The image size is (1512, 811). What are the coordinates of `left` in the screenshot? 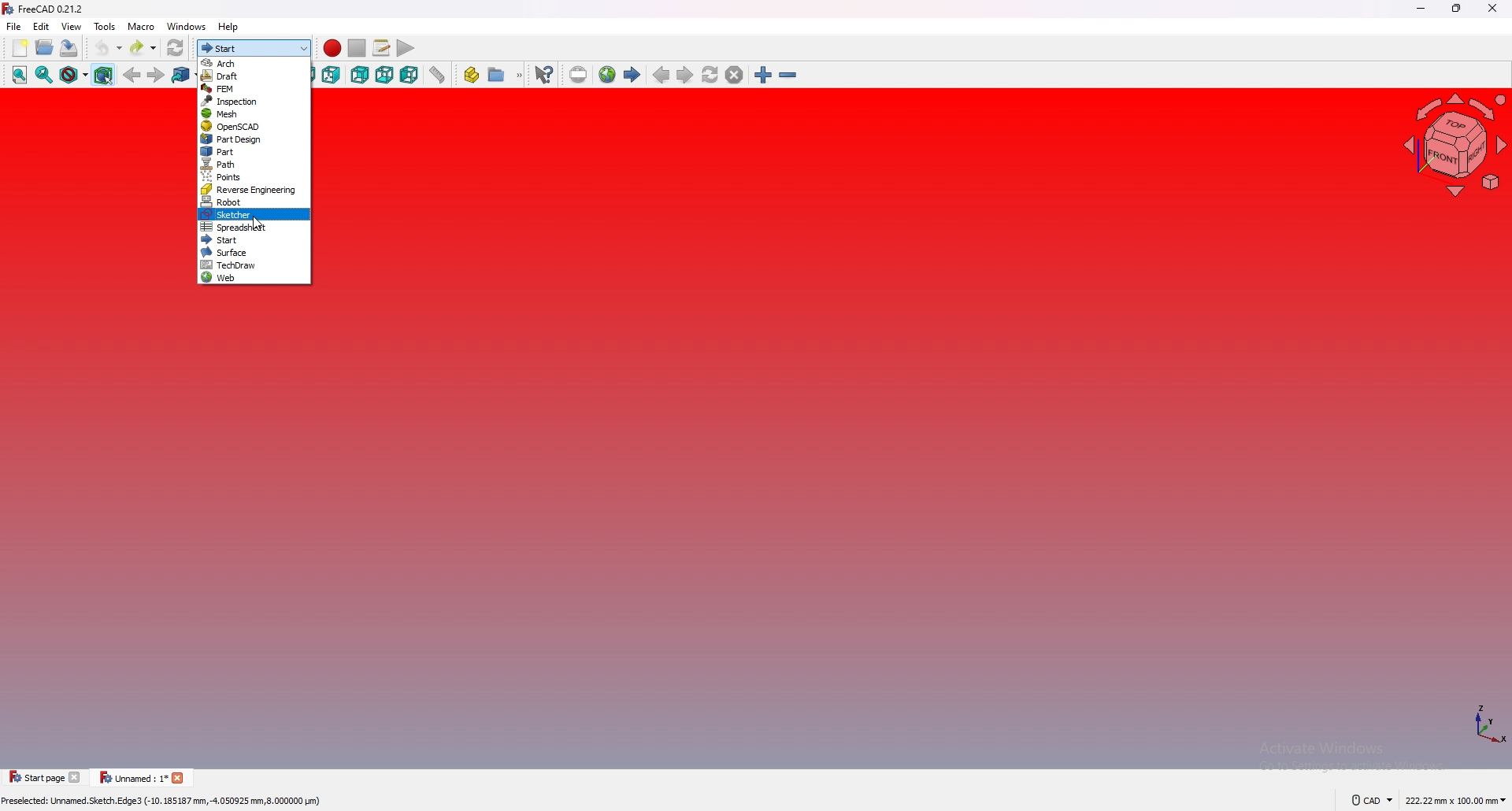 It's located at (409, 74).